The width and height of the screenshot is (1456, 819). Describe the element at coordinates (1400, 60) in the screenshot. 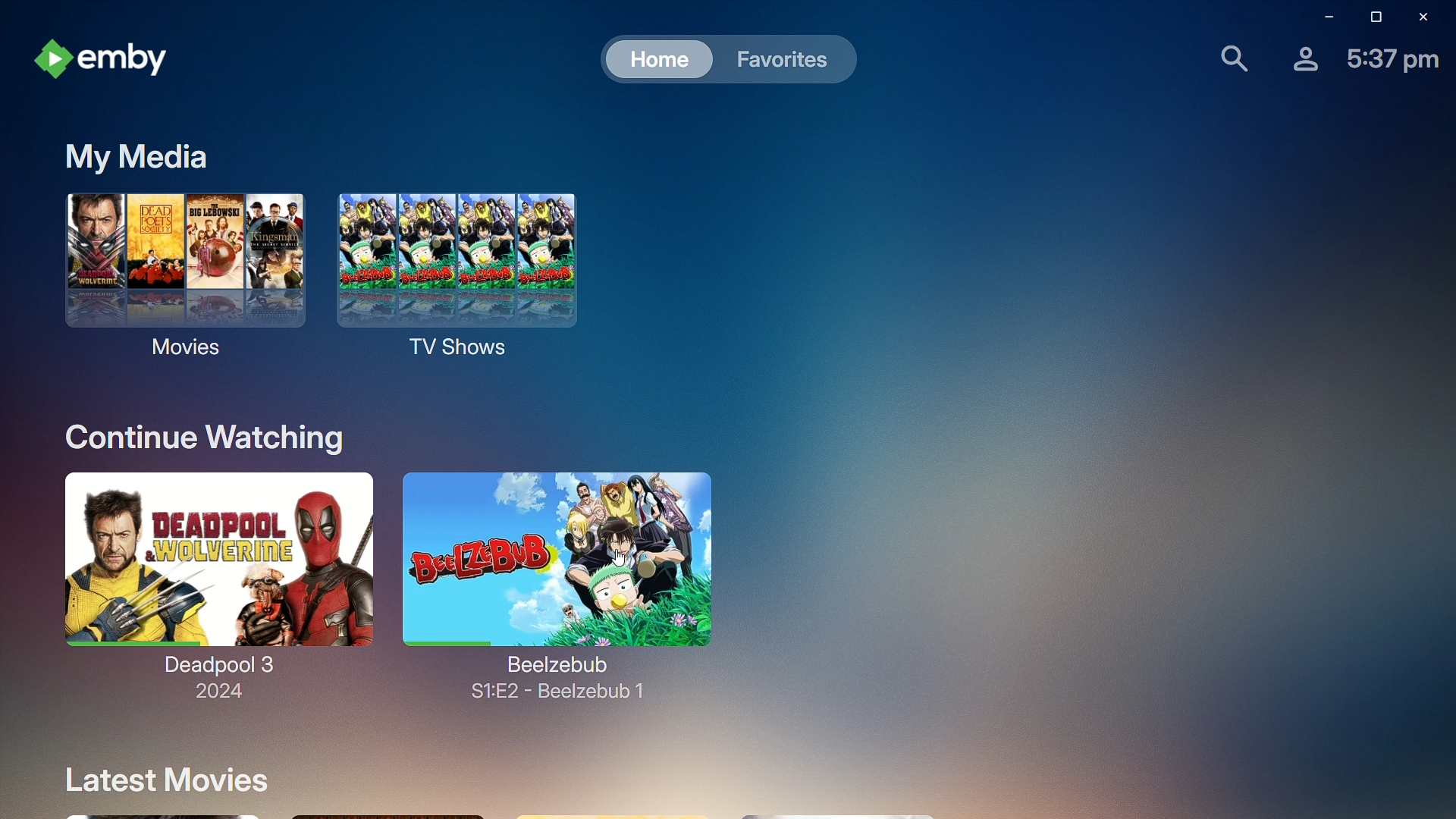

I see `Time-5.37 pm` at that location.